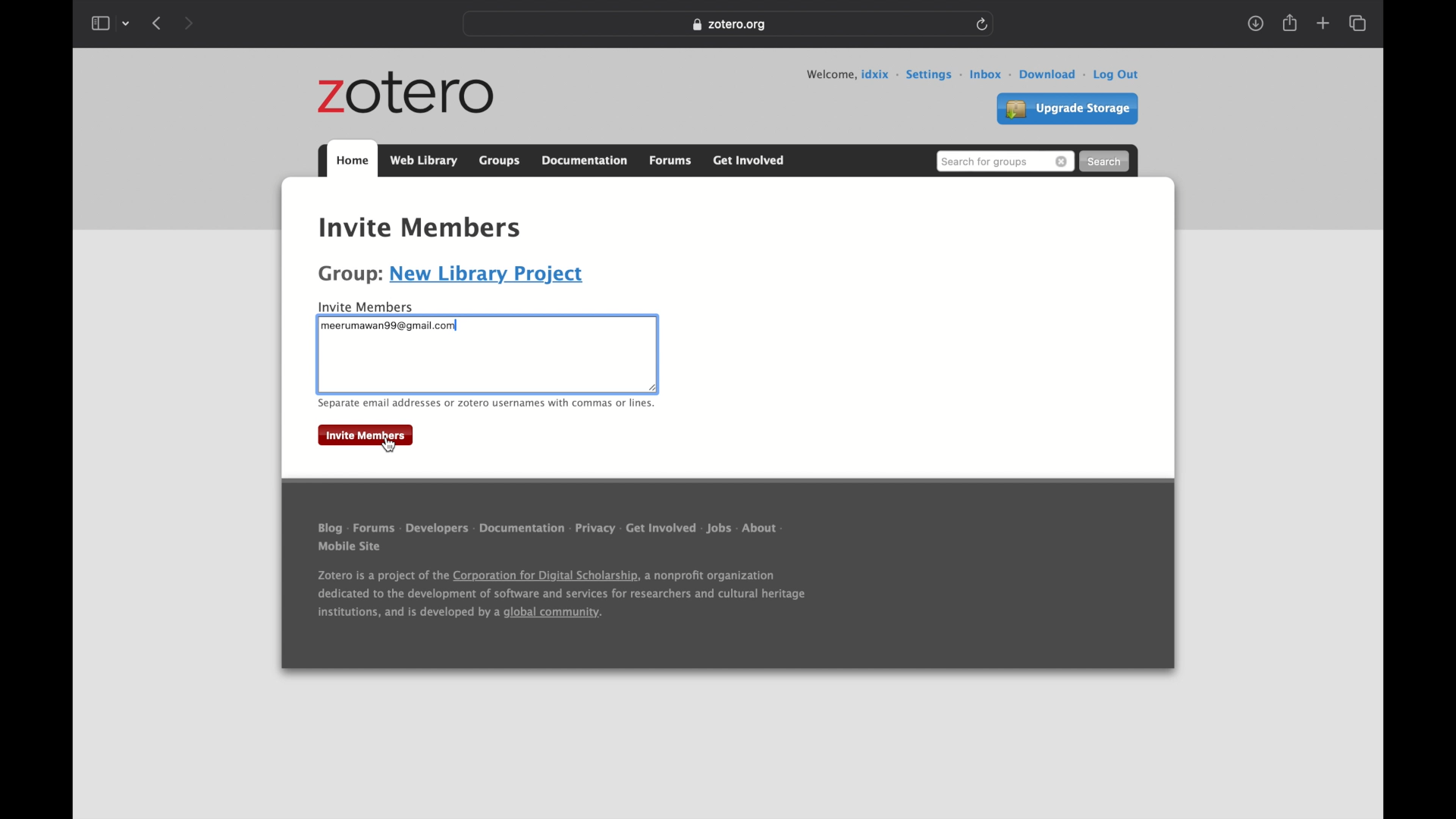 The height and width of the screenshot is (819, 1456). What do you see at coordinates (158, 24) in the screenshot?
I see `show previous page` at bounding box center [158, 24].